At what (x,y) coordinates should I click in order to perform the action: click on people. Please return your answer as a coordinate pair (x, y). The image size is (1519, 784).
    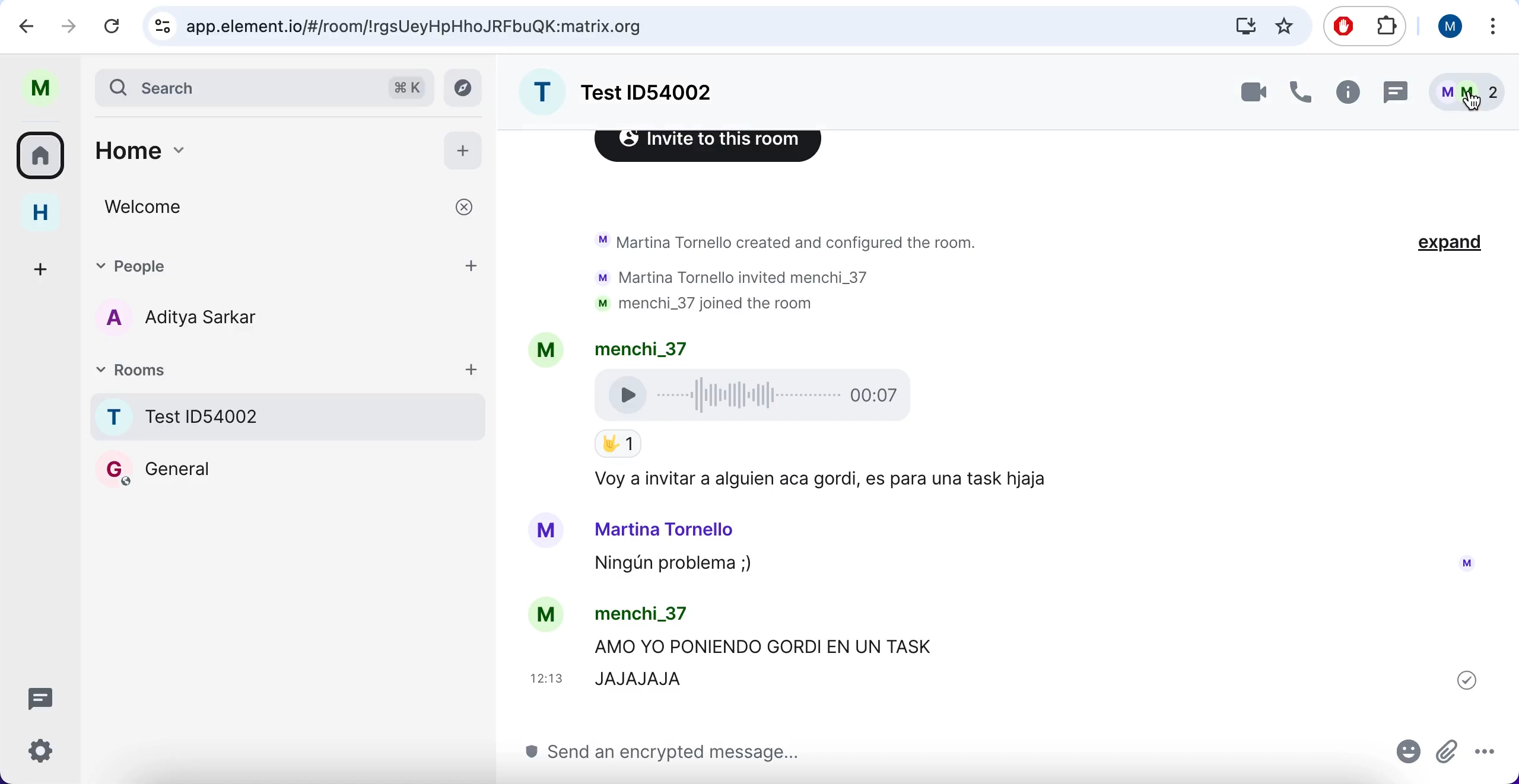
    Looking at the image, I should click on (268, 262).